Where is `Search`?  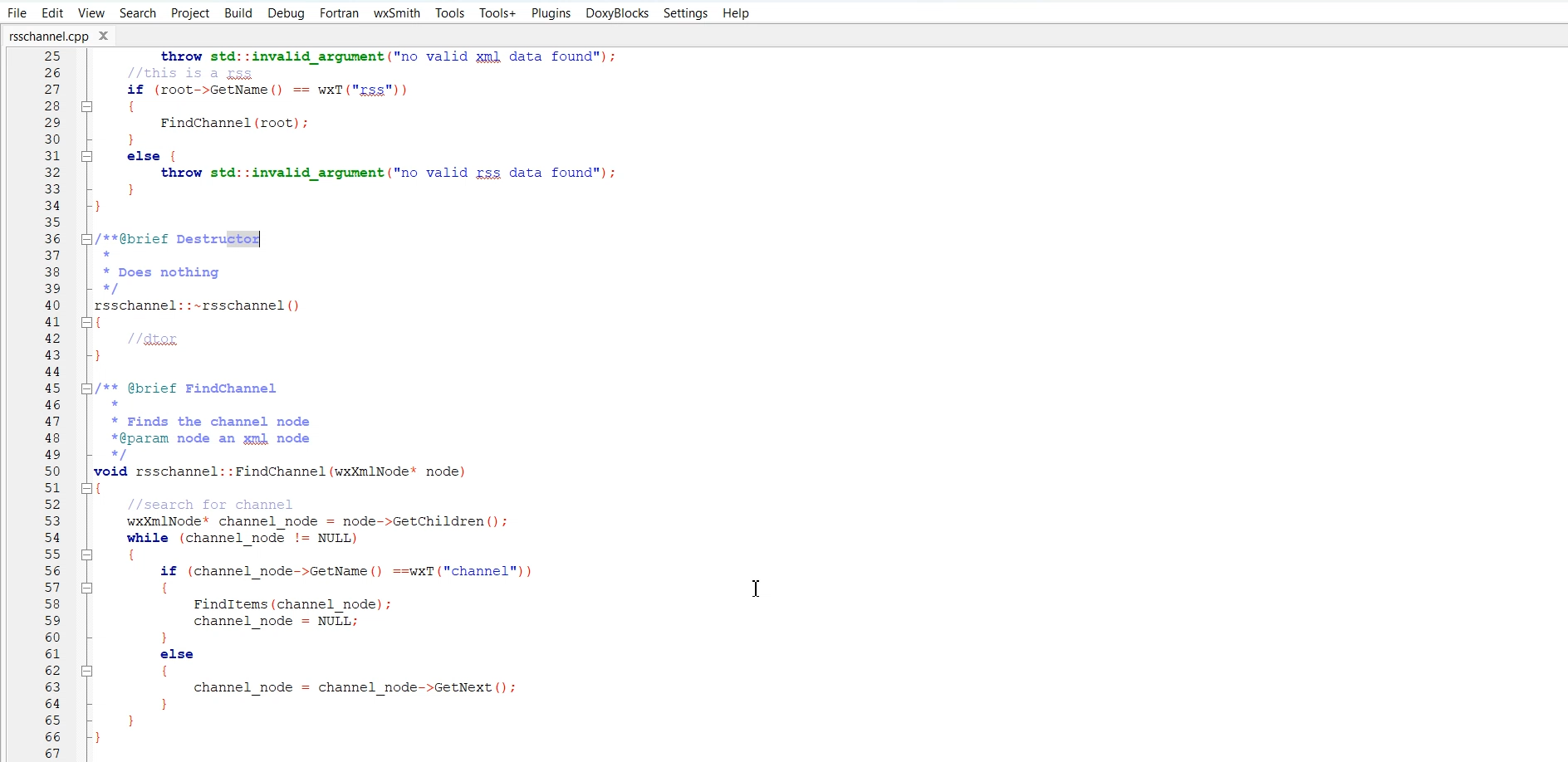
Search is located at coordinates (137, 13).